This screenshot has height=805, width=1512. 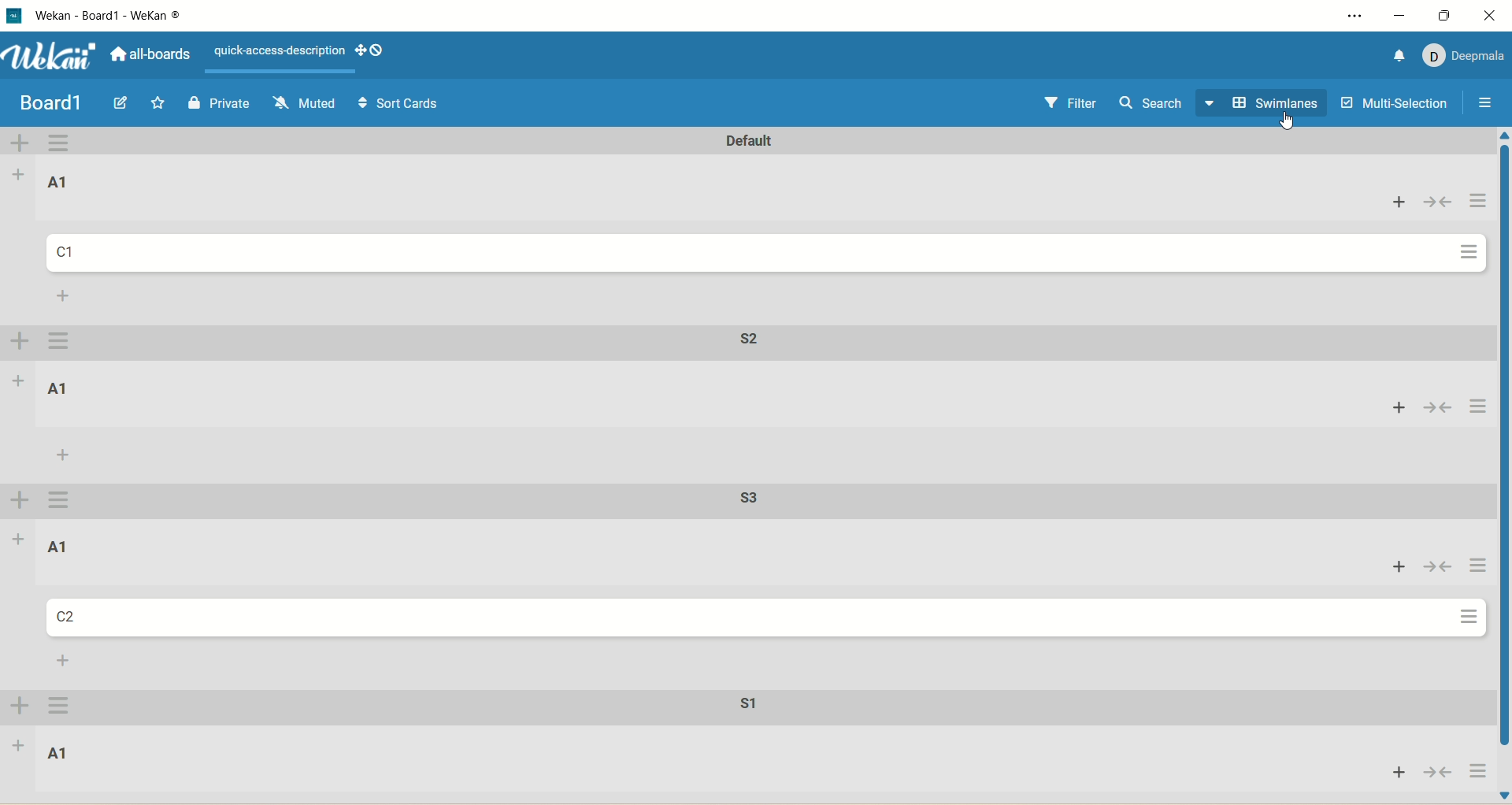 What do you see at coordinates (18, 751) in the screenshot?
I see `add` at bounding box center [18, 751].